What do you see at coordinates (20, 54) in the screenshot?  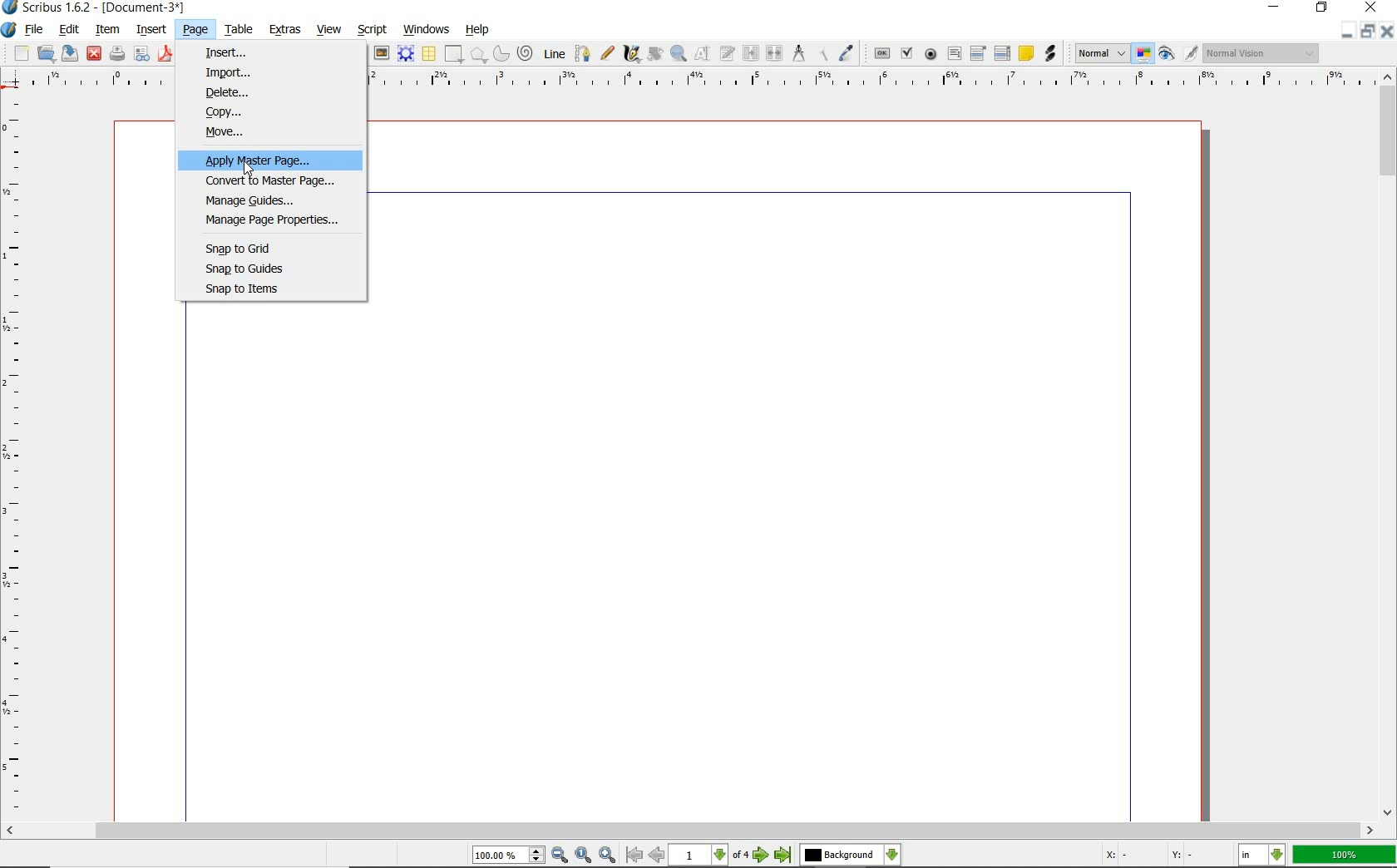 I see `new` at bounding box center [20, 54].